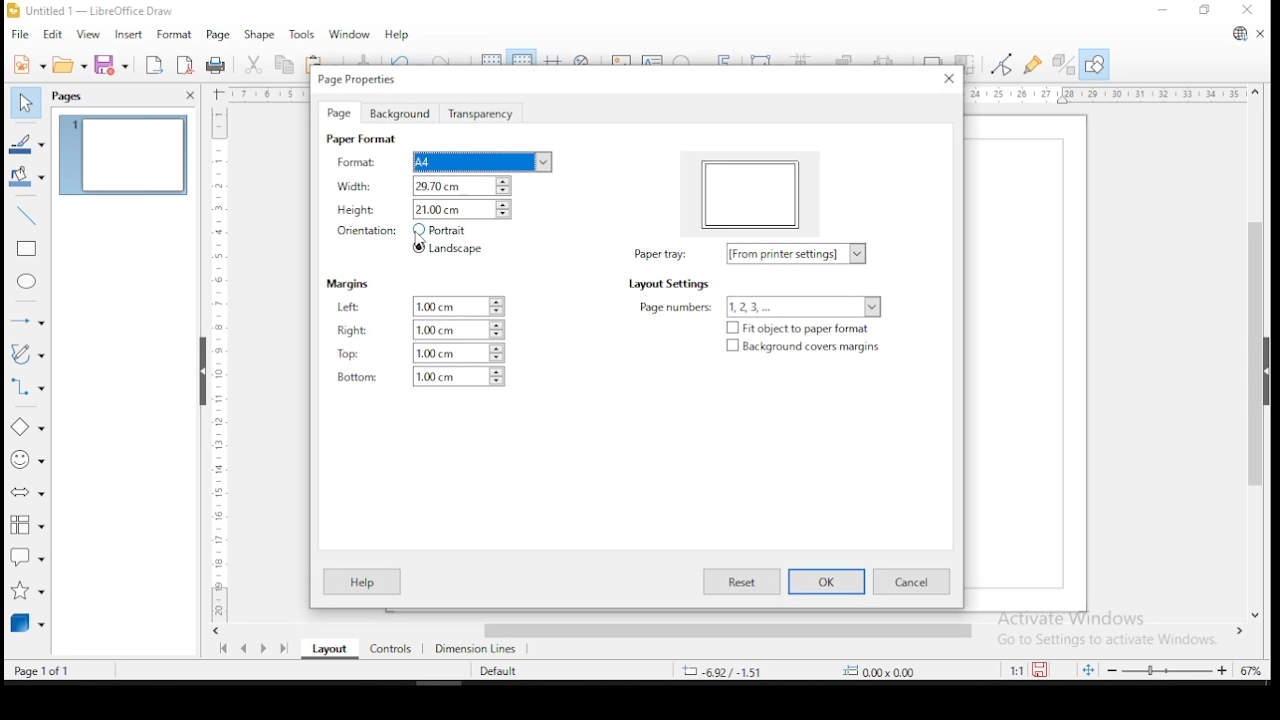 This screenshot has width=1280, height=720. I want to click on page numbers, so click(759, 305).